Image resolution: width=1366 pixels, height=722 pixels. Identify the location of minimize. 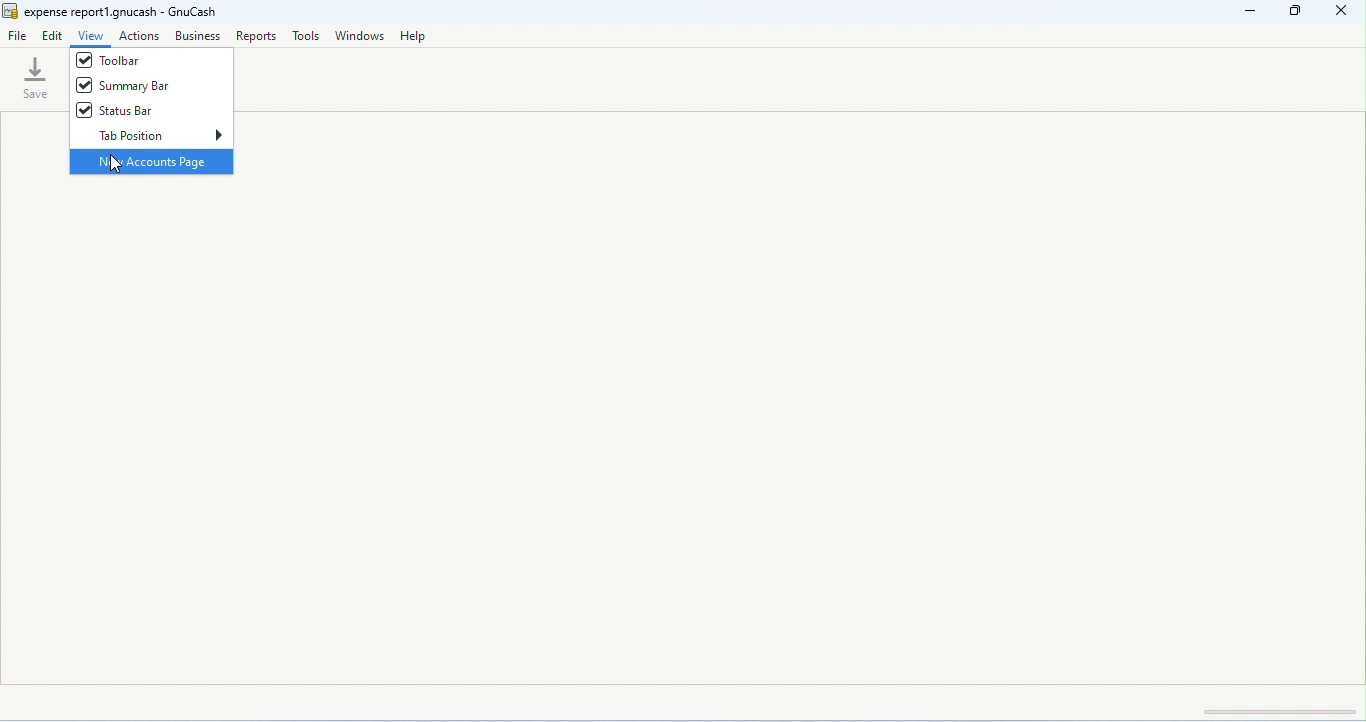
(1254, 13).